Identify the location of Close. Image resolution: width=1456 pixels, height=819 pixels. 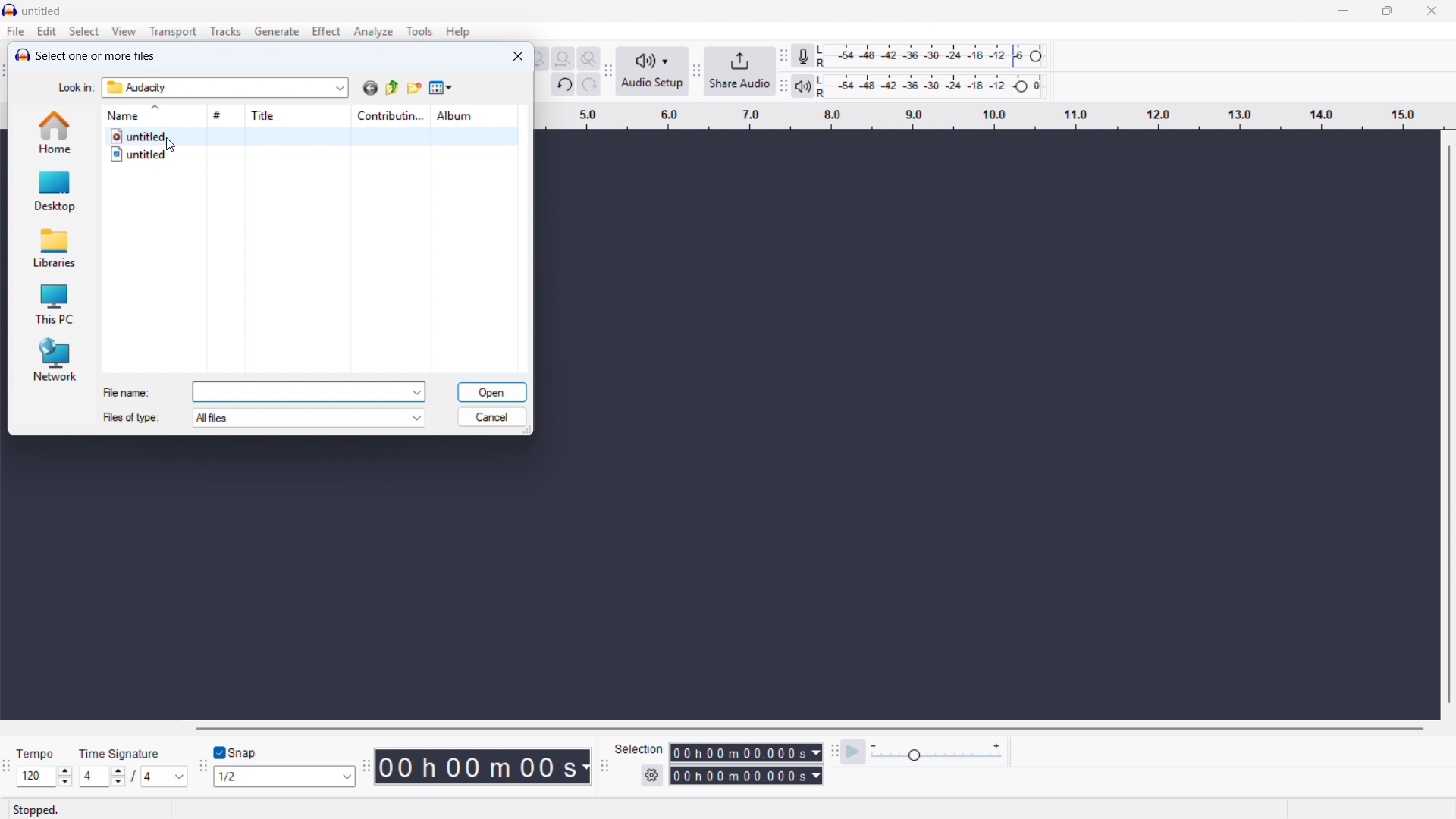
(1432, 12).